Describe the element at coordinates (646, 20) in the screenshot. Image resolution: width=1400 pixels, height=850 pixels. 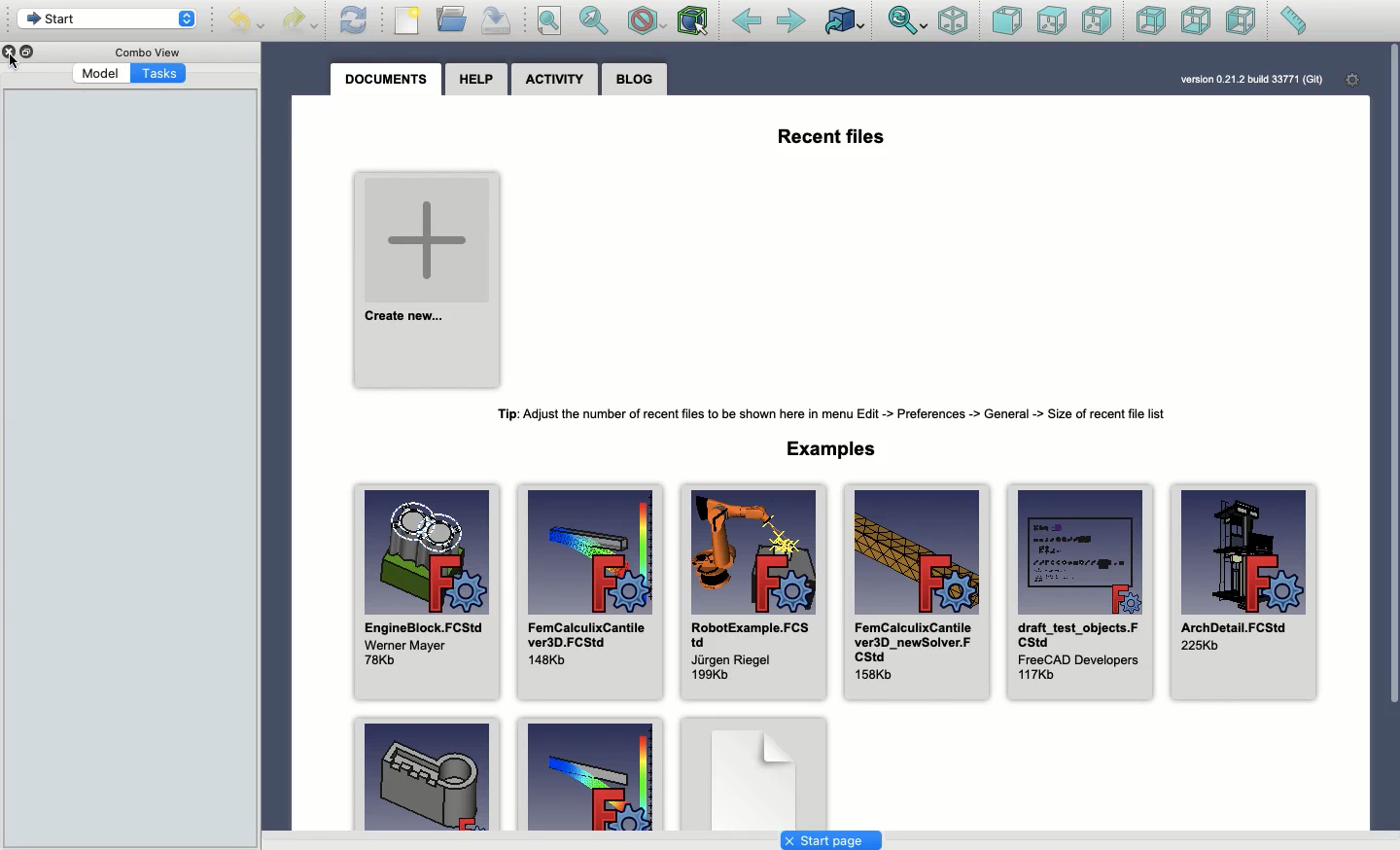
I see `Draw style` at that location.